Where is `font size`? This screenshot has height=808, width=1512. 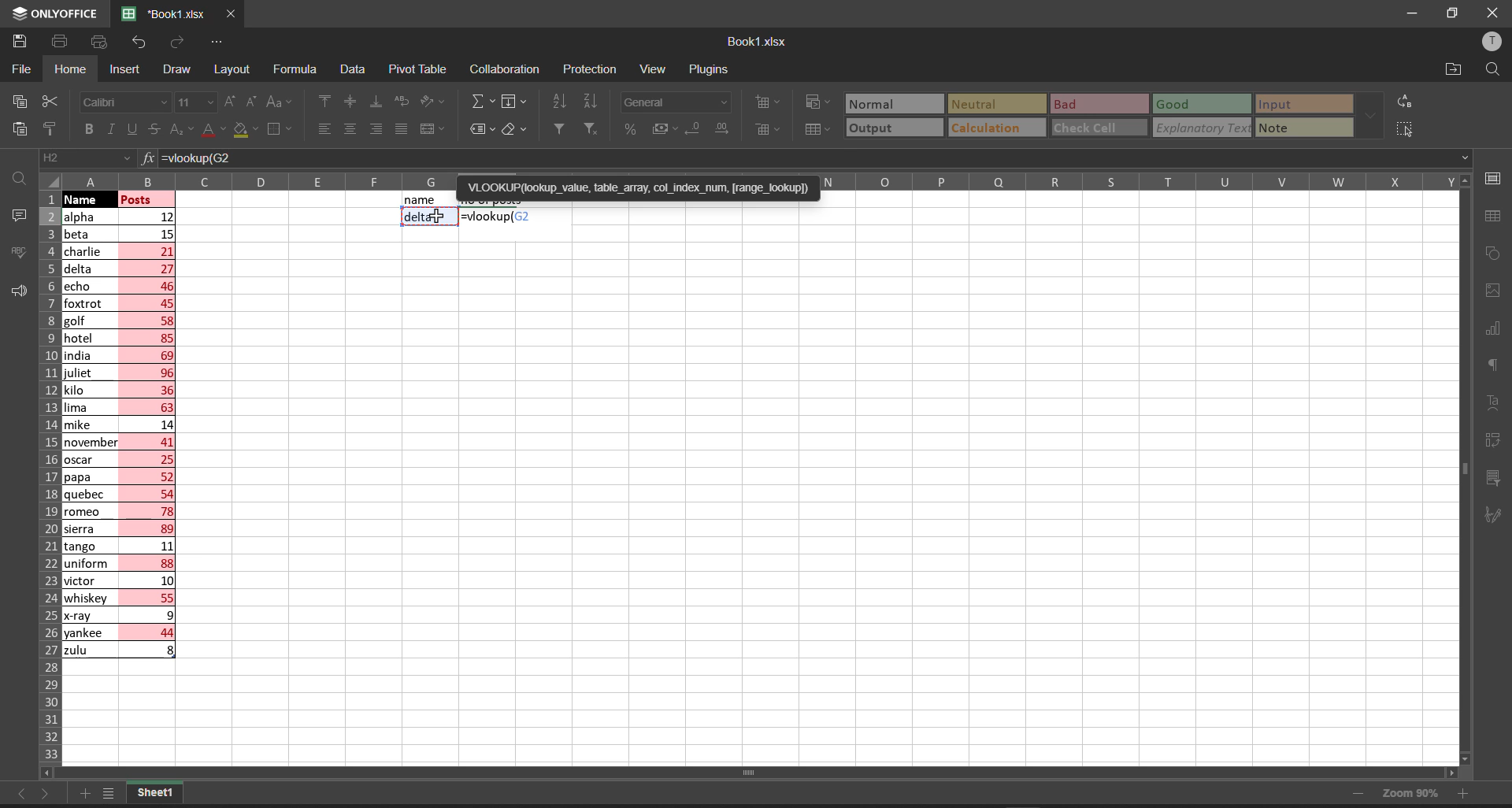
font size is located at coordinates (196, 102).